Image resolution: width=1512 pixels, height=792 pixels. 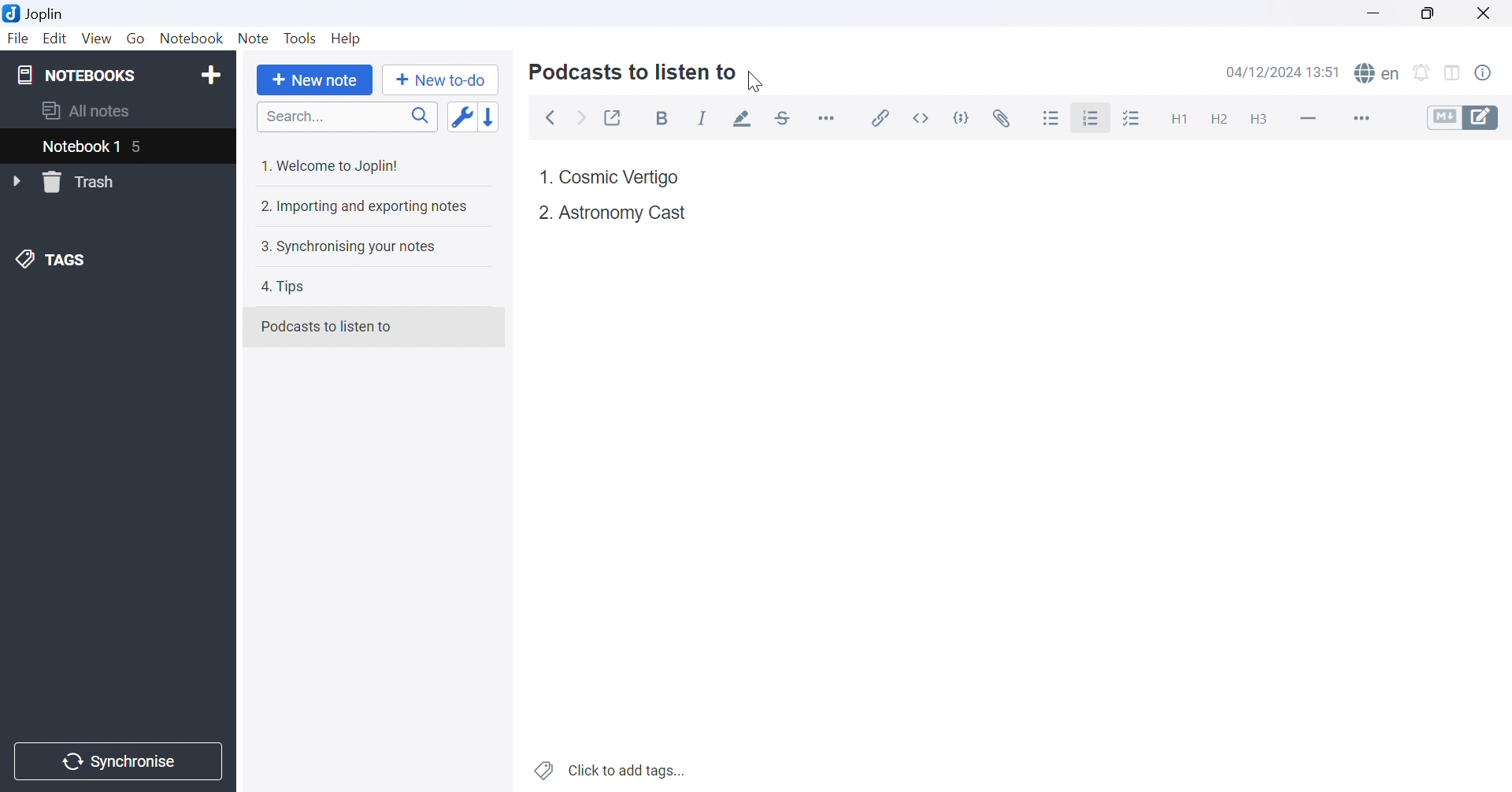 I want to click on File, so click(x=18, y=40).